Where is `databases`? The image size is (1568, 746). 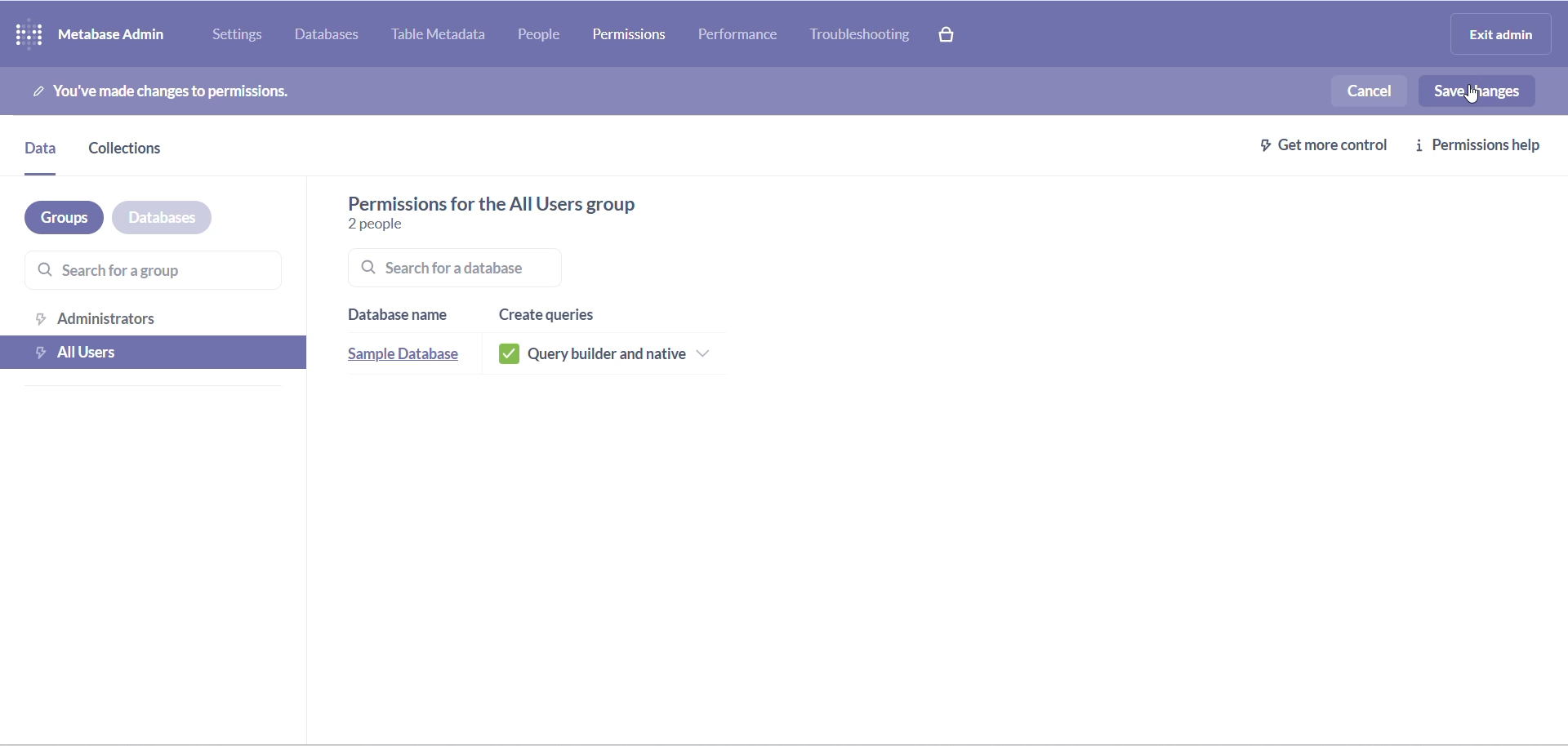 databases is located at coordinates (163, 216).